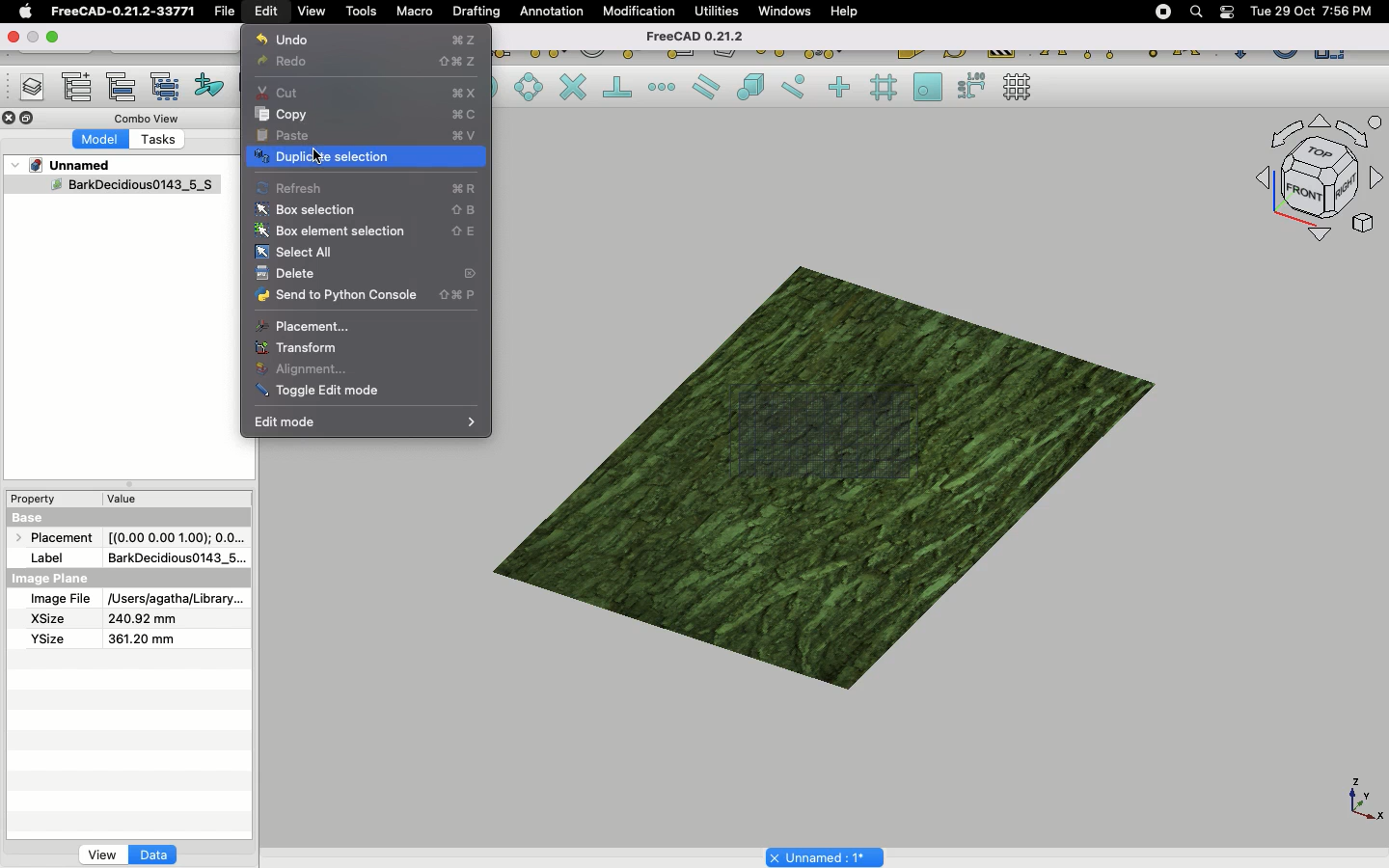  I want to click on Add new named group, so click(81, 89).